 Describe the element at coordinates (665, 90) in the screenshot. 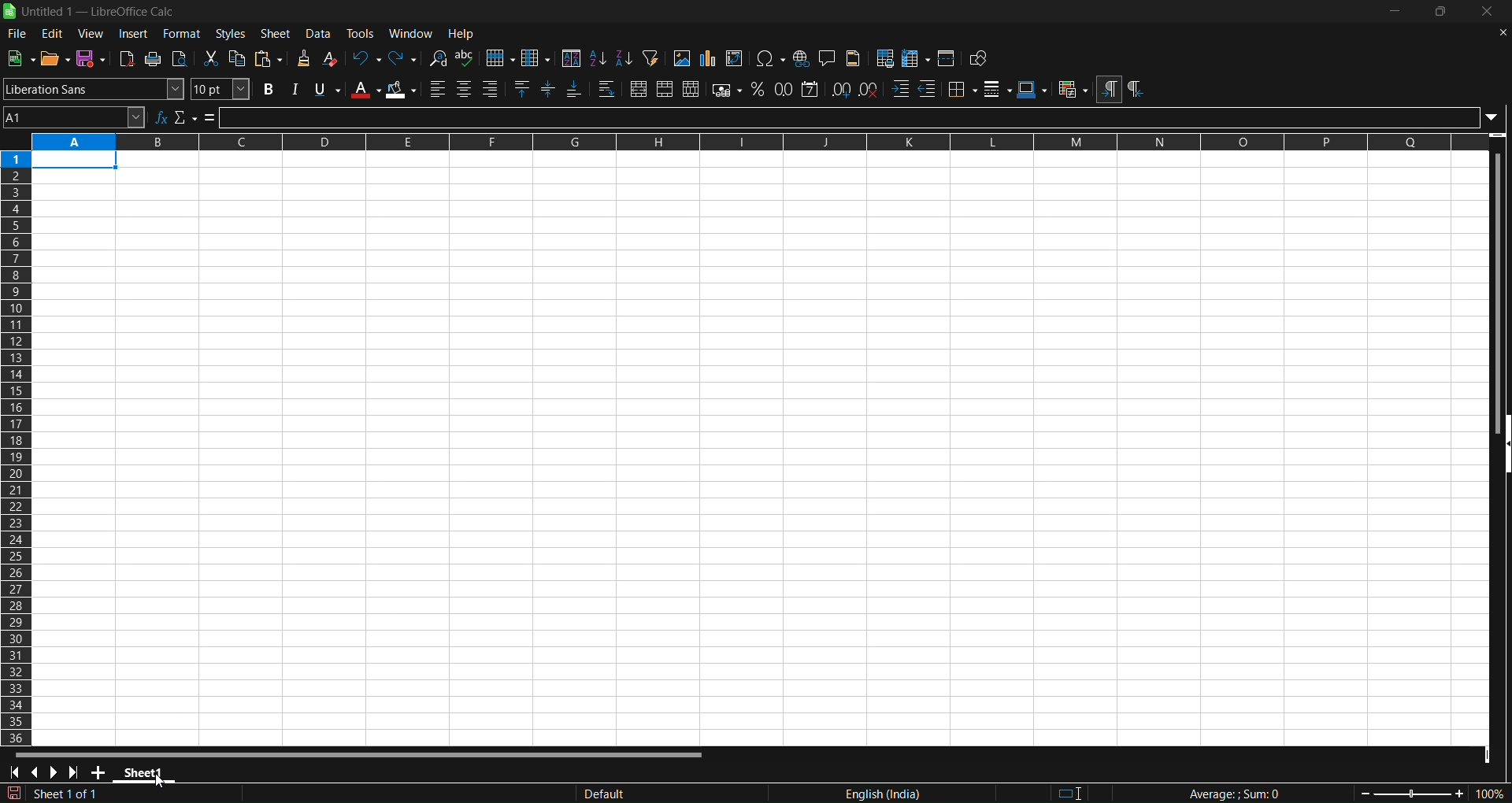

I see `merge cells` at that location.